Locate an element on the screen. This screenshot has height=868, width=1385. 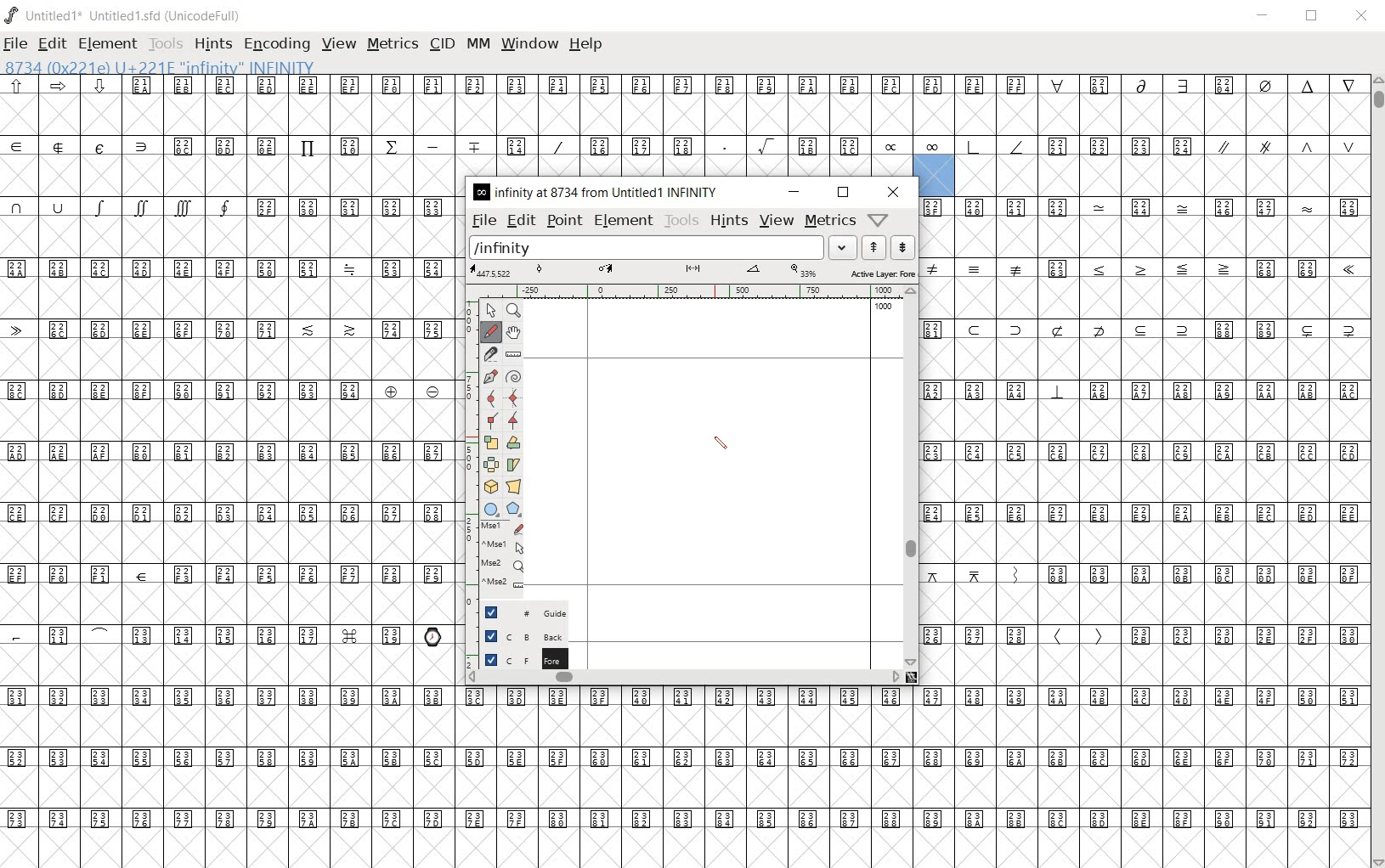
Unicode code points is located at coordinates (1291, 268).